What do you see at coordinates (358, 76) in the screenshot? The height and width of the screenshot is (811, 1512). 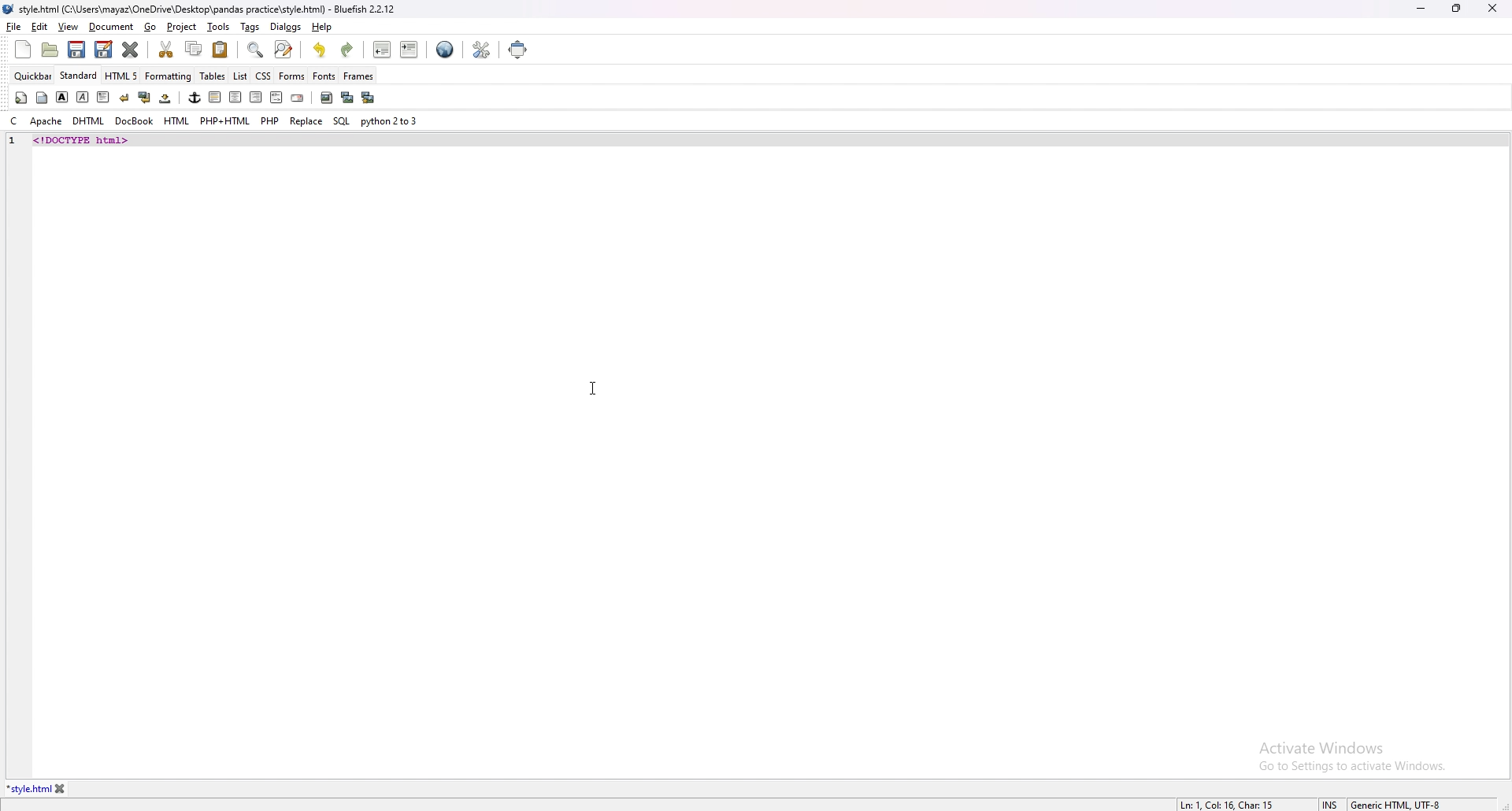 I see `frames` at bounding box center [358, 76].